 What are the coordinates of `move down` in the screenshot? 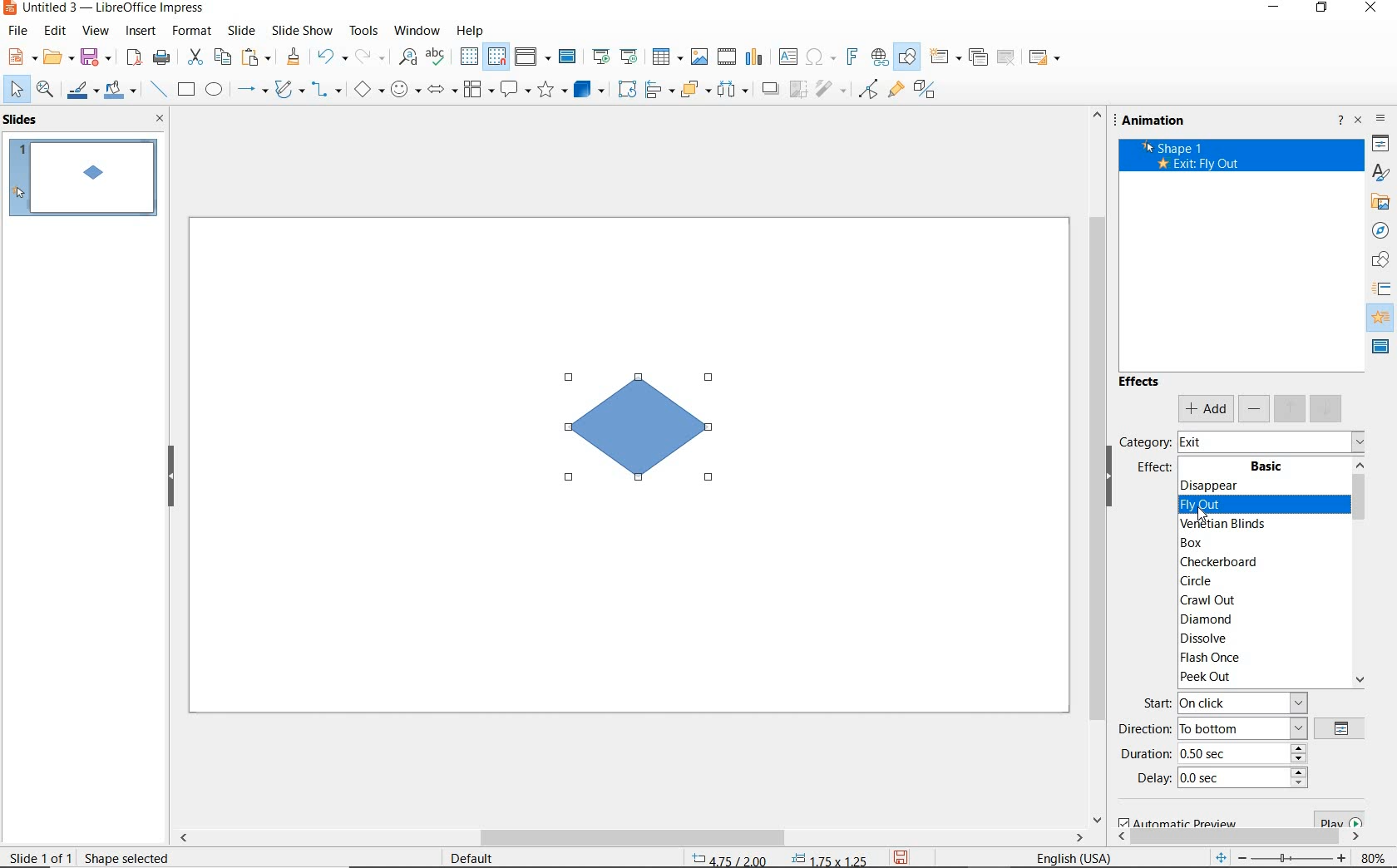 It's located at (1327, 409).